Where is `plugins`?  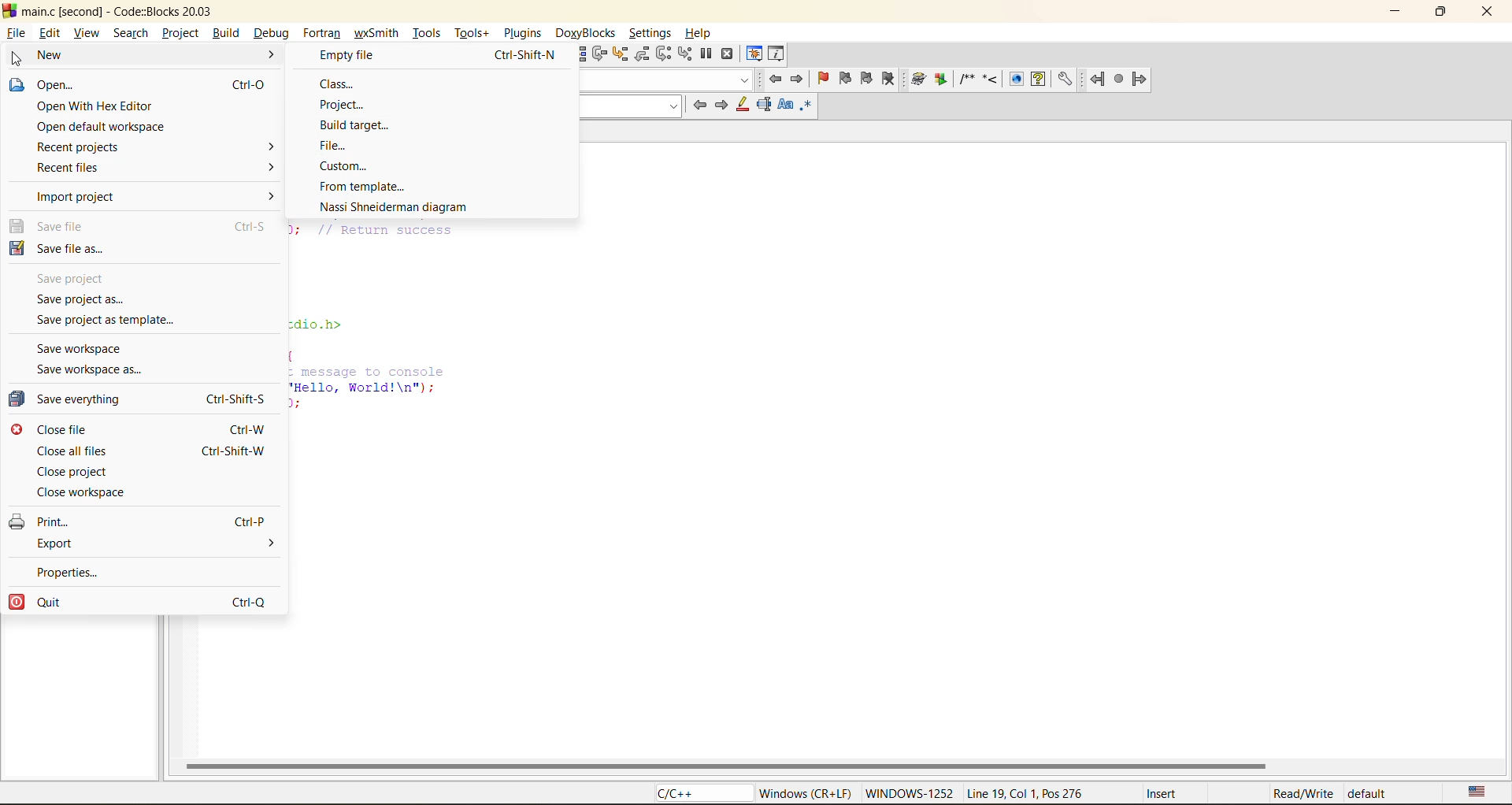
plugins is located at coordinates (524, 33).